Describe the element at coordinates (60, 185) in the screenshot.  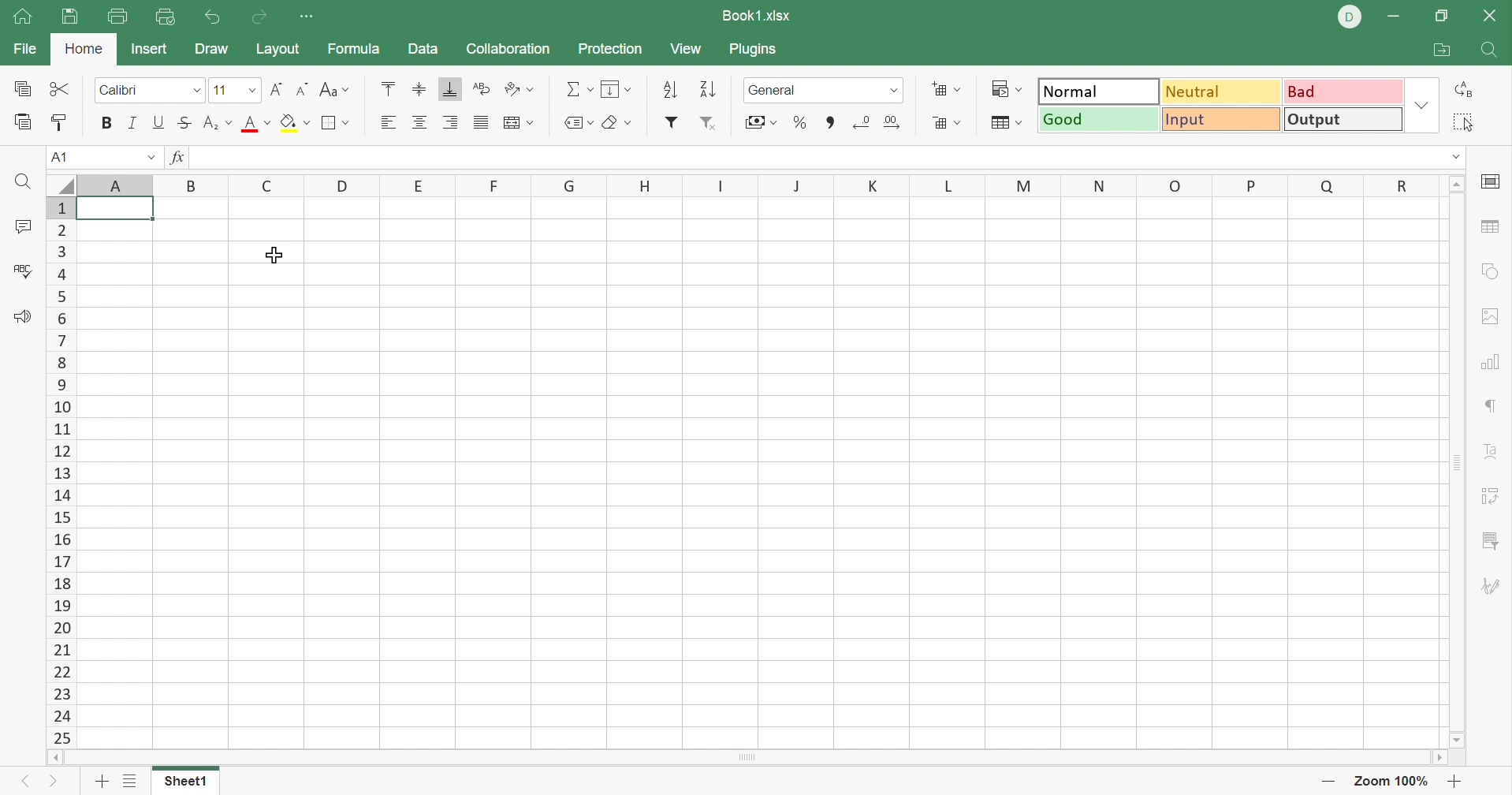
I see `select all cells` at that location.